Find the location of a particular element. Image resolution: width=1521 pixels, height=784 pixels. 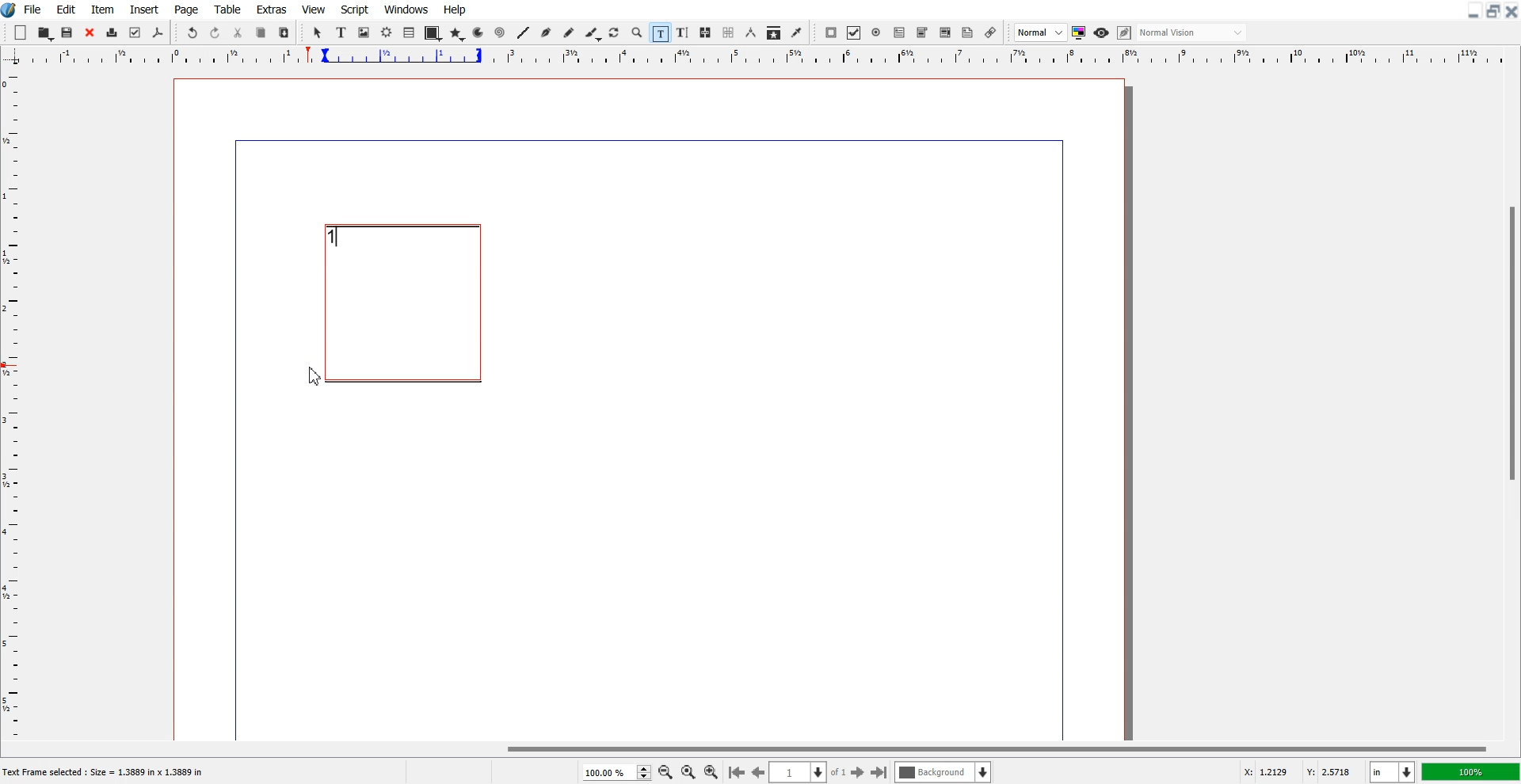

Copy item properties is located at coordinates (774, 33).